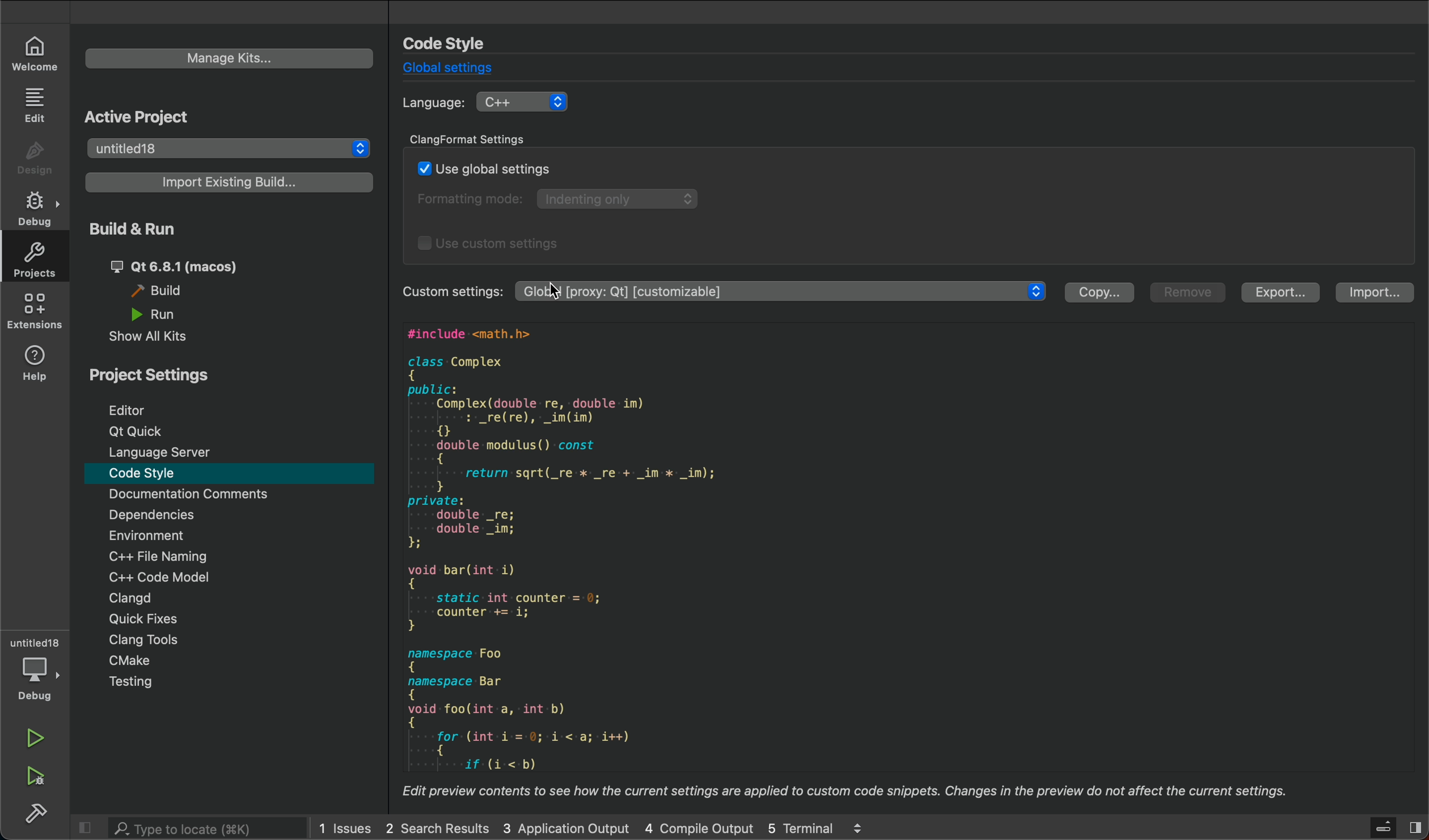 The width and height of the screenshot is (1429, 840). I want to click on Untitled , so click(33, 644).